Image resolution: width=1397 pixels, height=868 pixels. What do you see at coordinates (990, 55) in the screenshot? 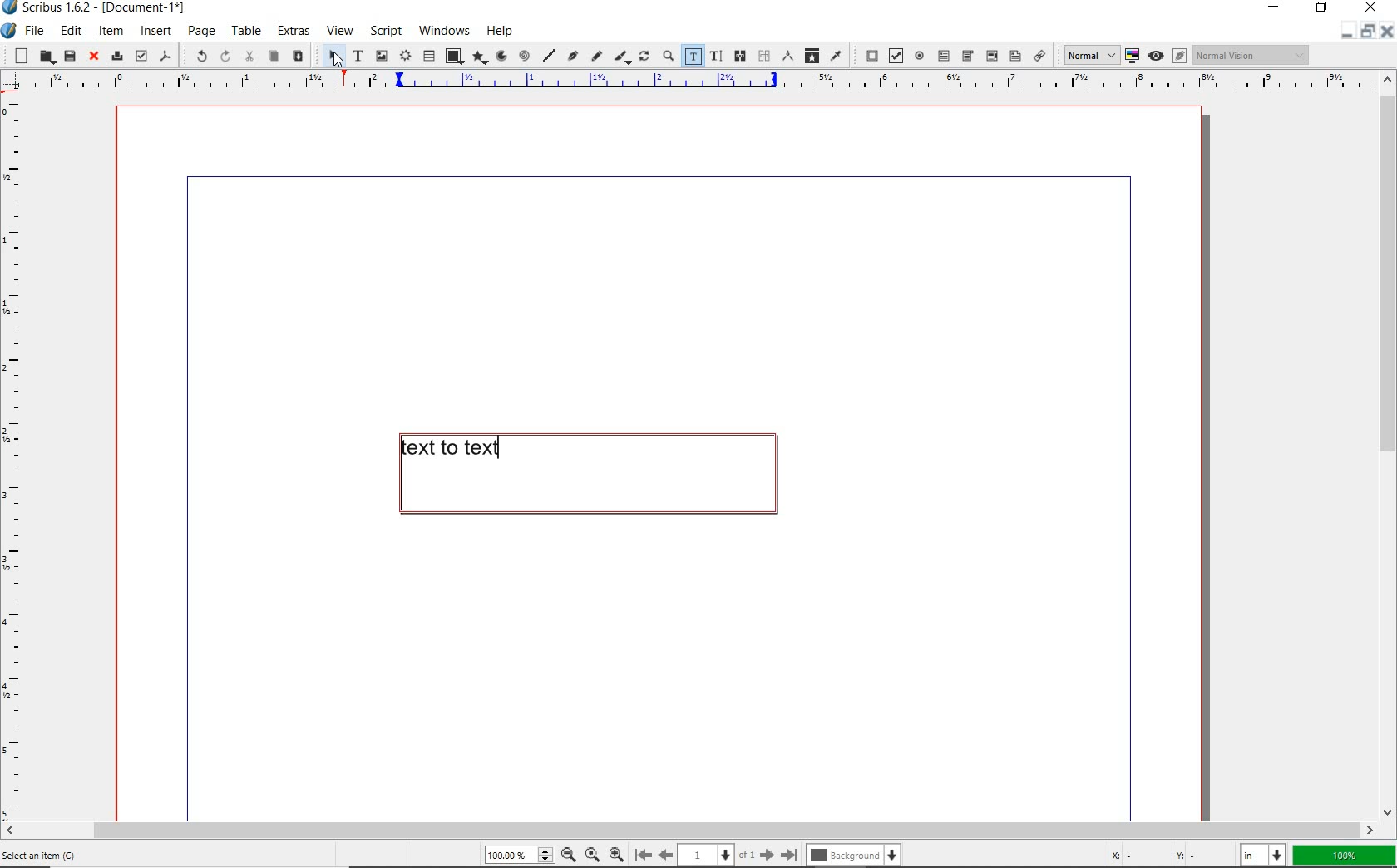
I see `pdf list box` at bounding box center [990, 55].